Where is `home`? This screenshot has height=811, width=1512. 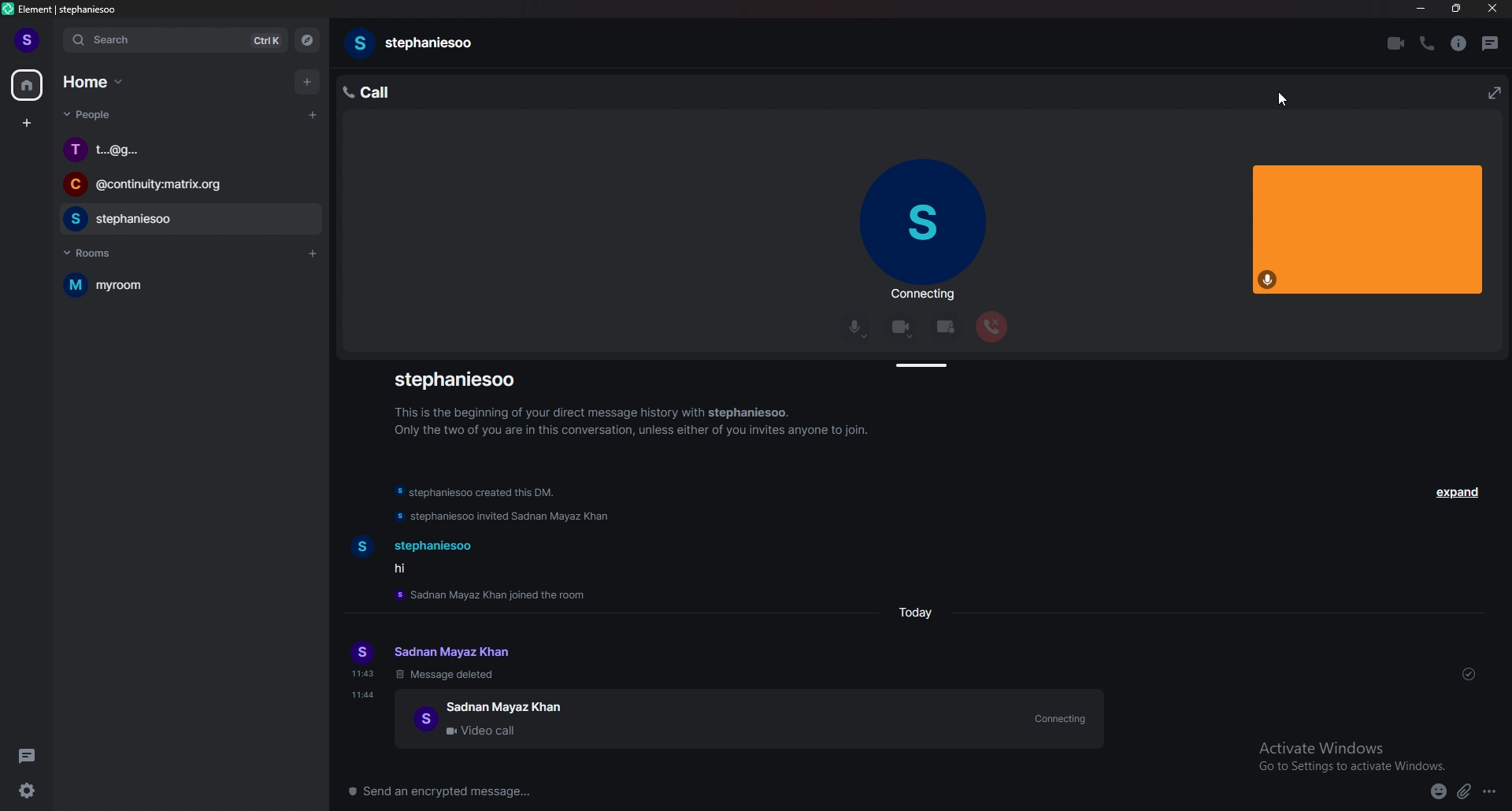 home is located at coordinates (28, 85).